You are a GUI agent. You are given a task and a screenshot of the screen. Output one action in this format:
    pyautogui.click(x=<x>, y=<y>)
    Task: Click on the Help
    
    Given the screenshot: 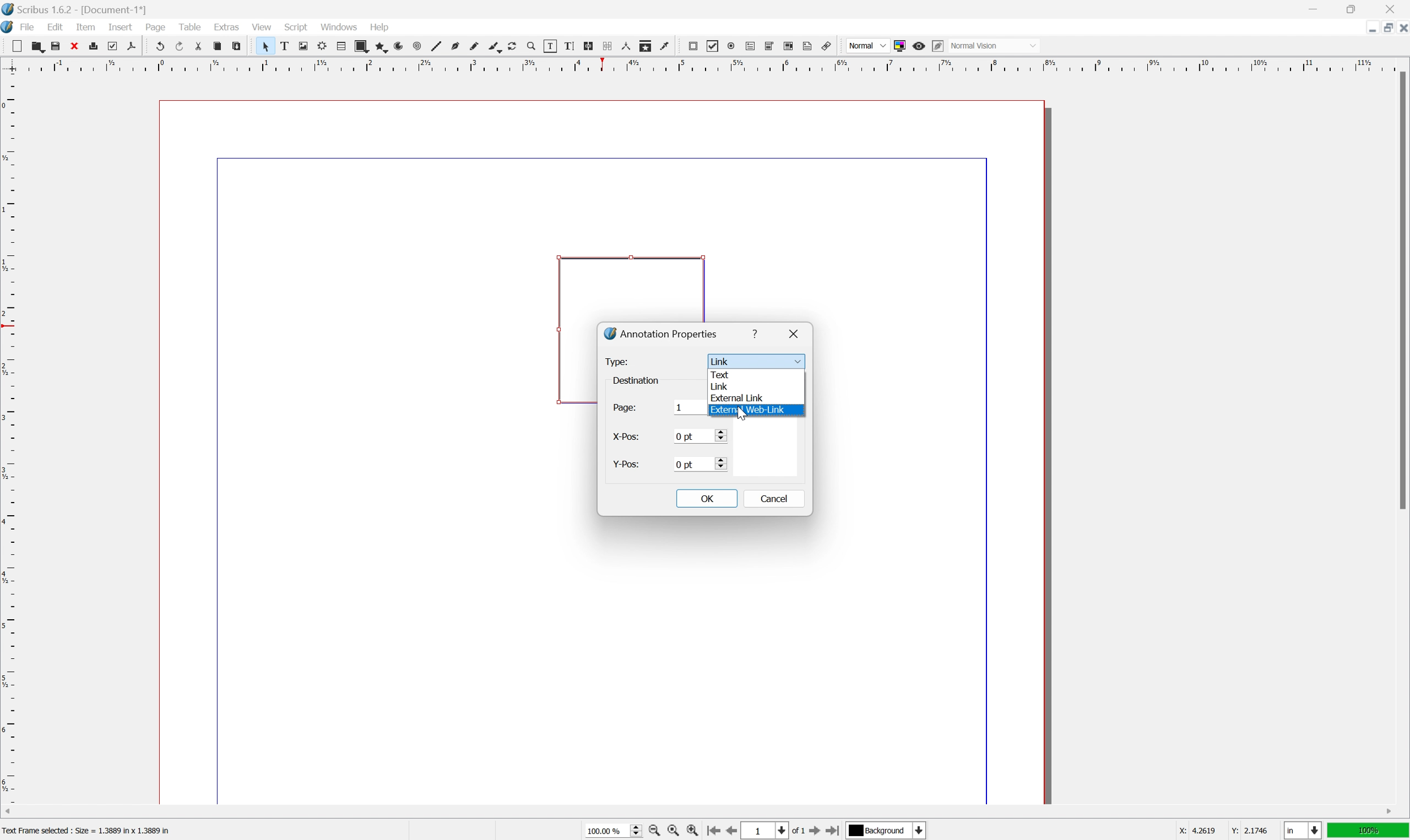 What is the action you would take?
    pyautogui.click(x=381, y=28)
    